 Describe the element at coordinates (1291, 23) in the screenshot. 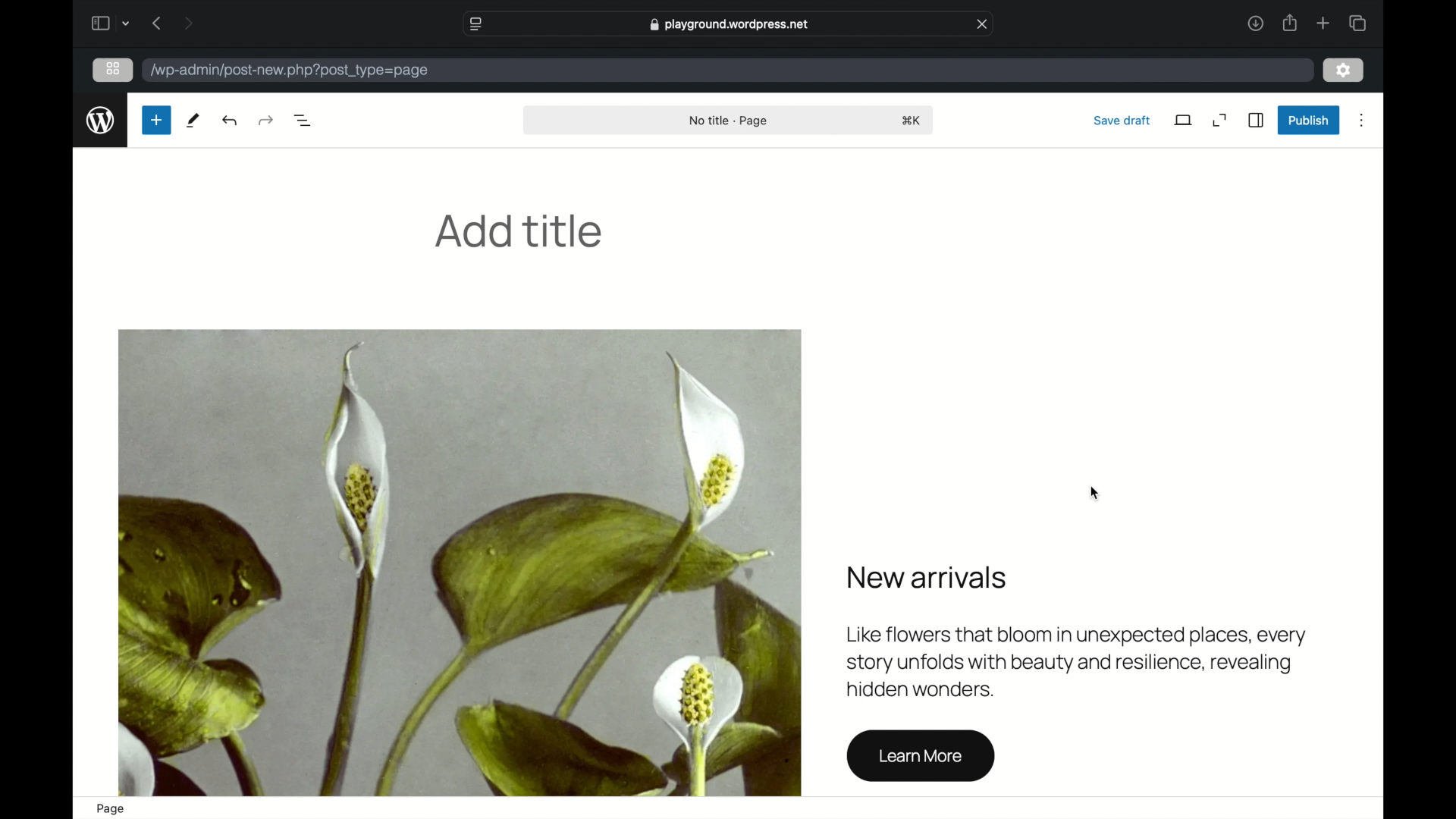

I see `share` at that location.